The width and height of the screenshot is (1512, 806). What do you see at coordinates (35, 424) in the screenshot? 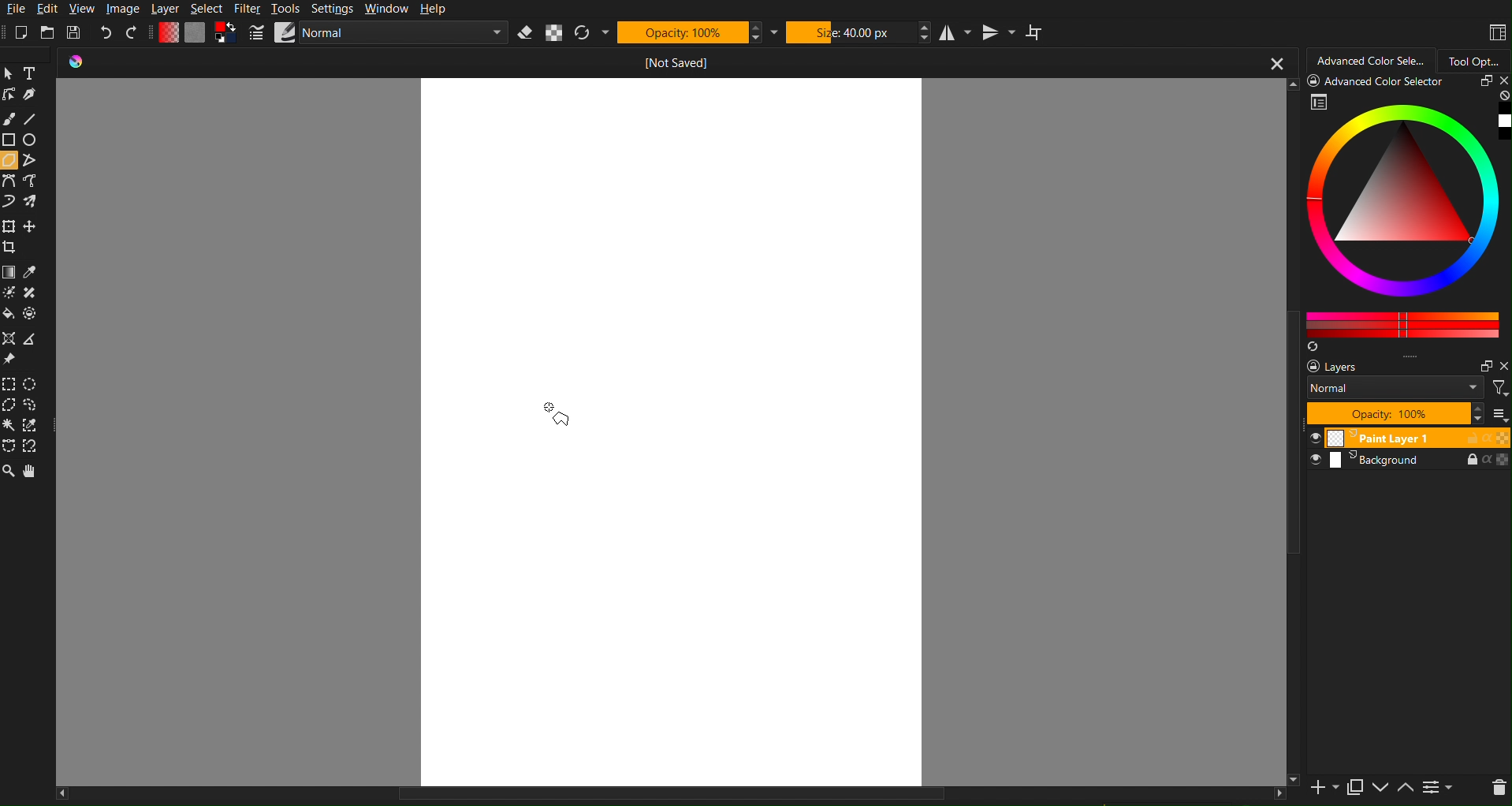
I see `similar color selection tool` at bounding box center [35, 424].